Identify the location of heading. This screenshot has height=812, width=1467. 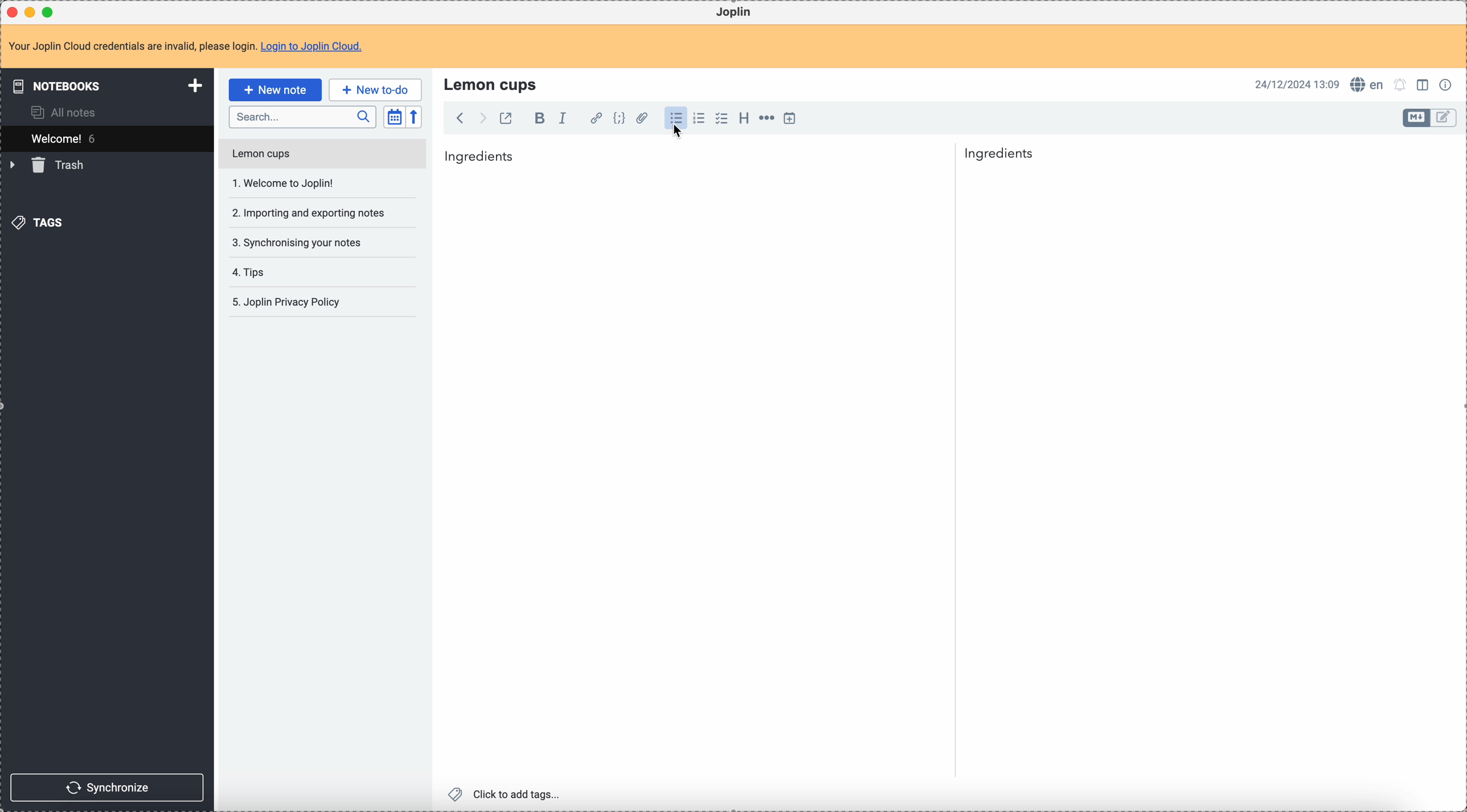
(744, 117).